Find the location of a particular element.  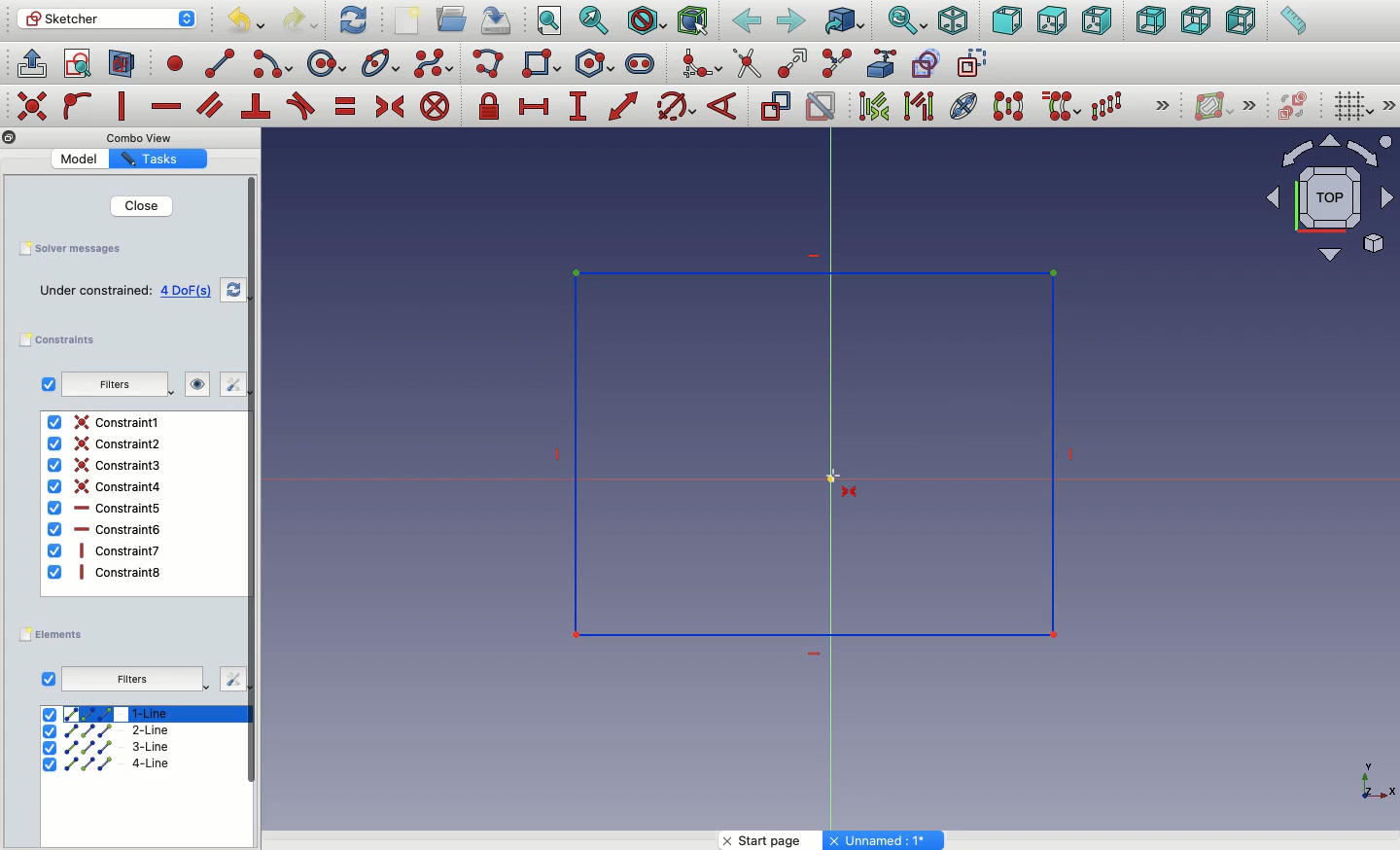

constrain circle  is located at coordinates (677, 105).